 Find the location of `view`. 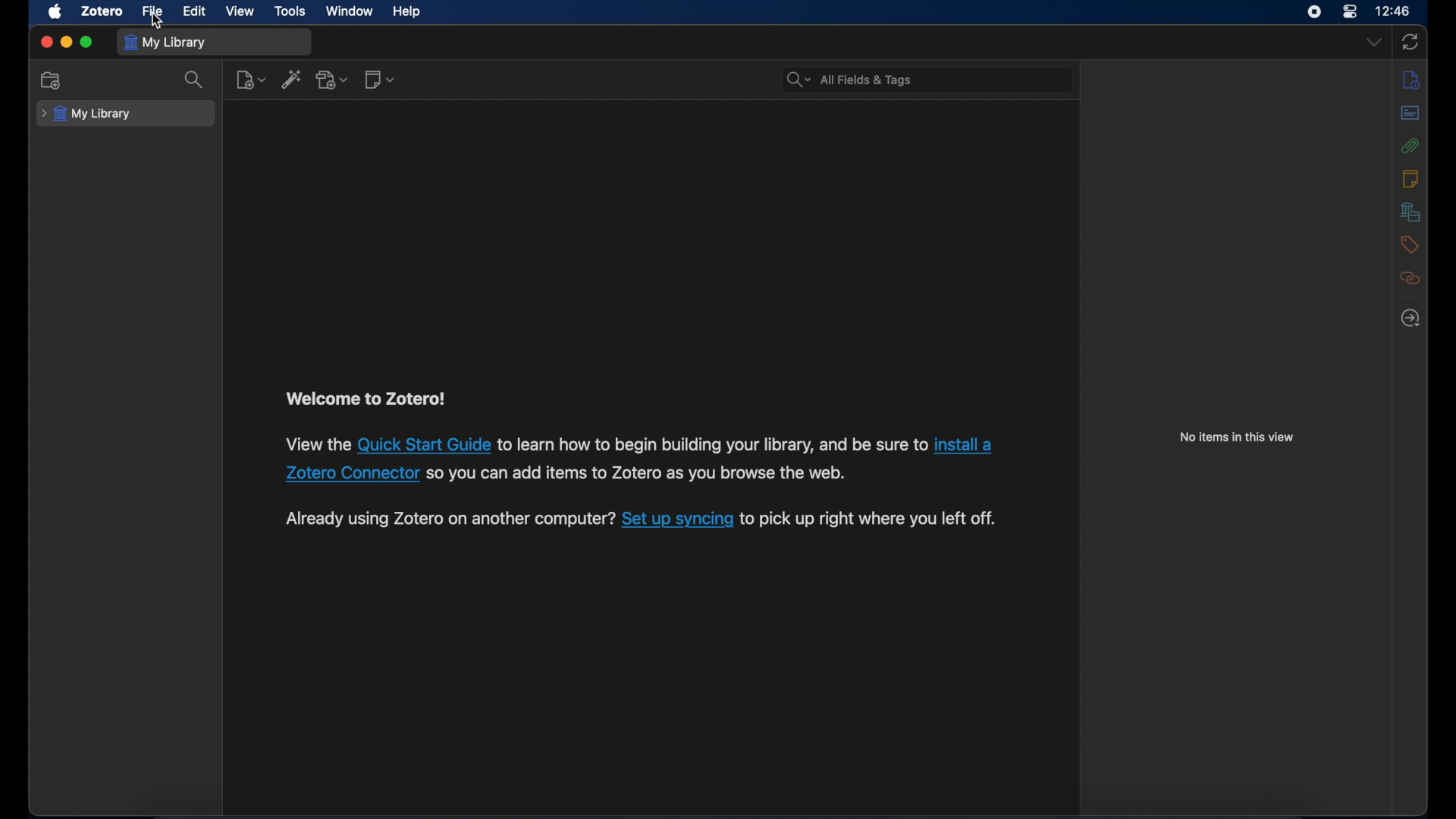

view is located at coordinates (240, 12).